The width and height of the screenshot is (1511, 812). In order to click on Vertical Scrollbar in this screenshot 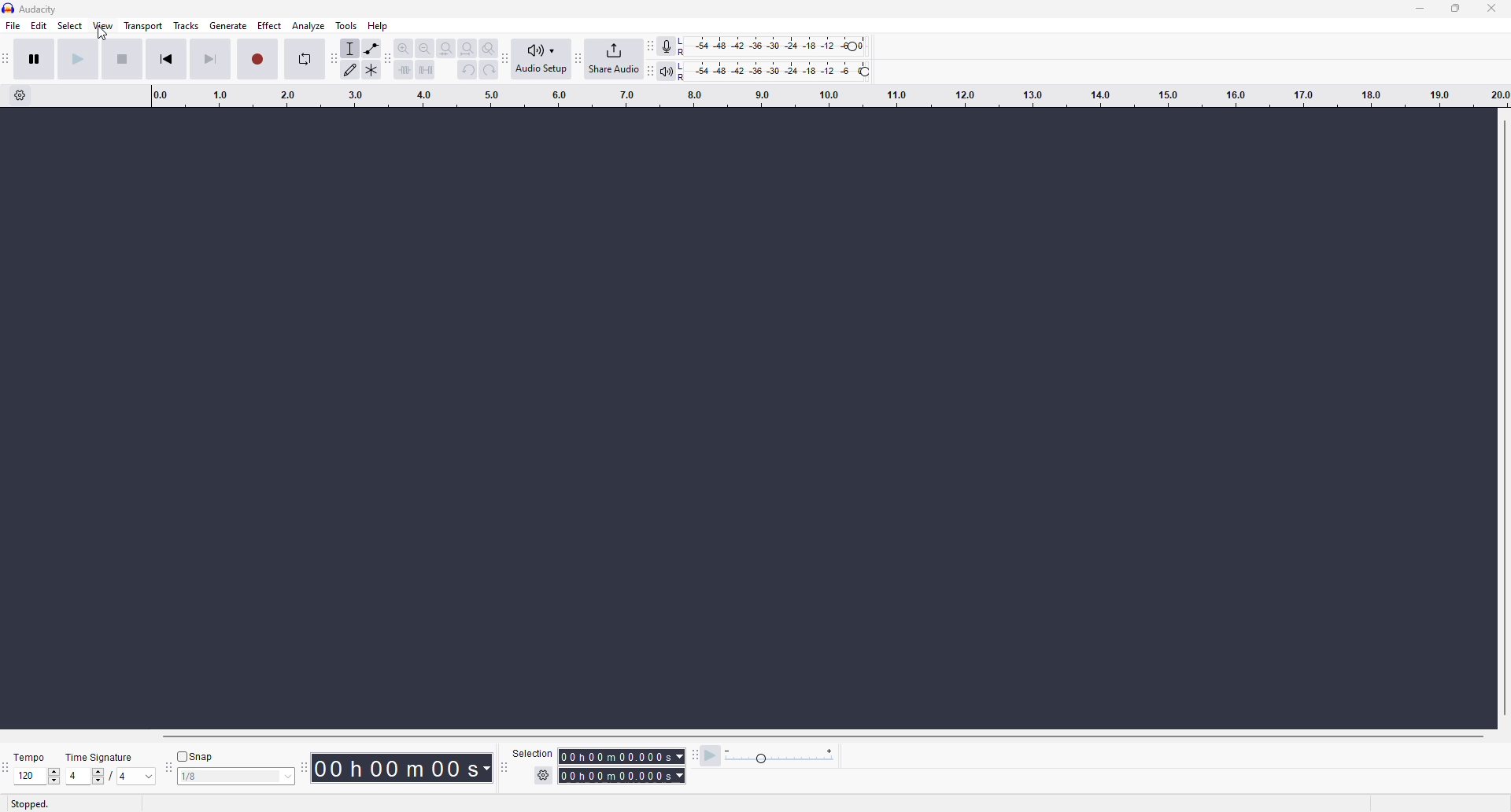, I will do `click(1502, 416)`.